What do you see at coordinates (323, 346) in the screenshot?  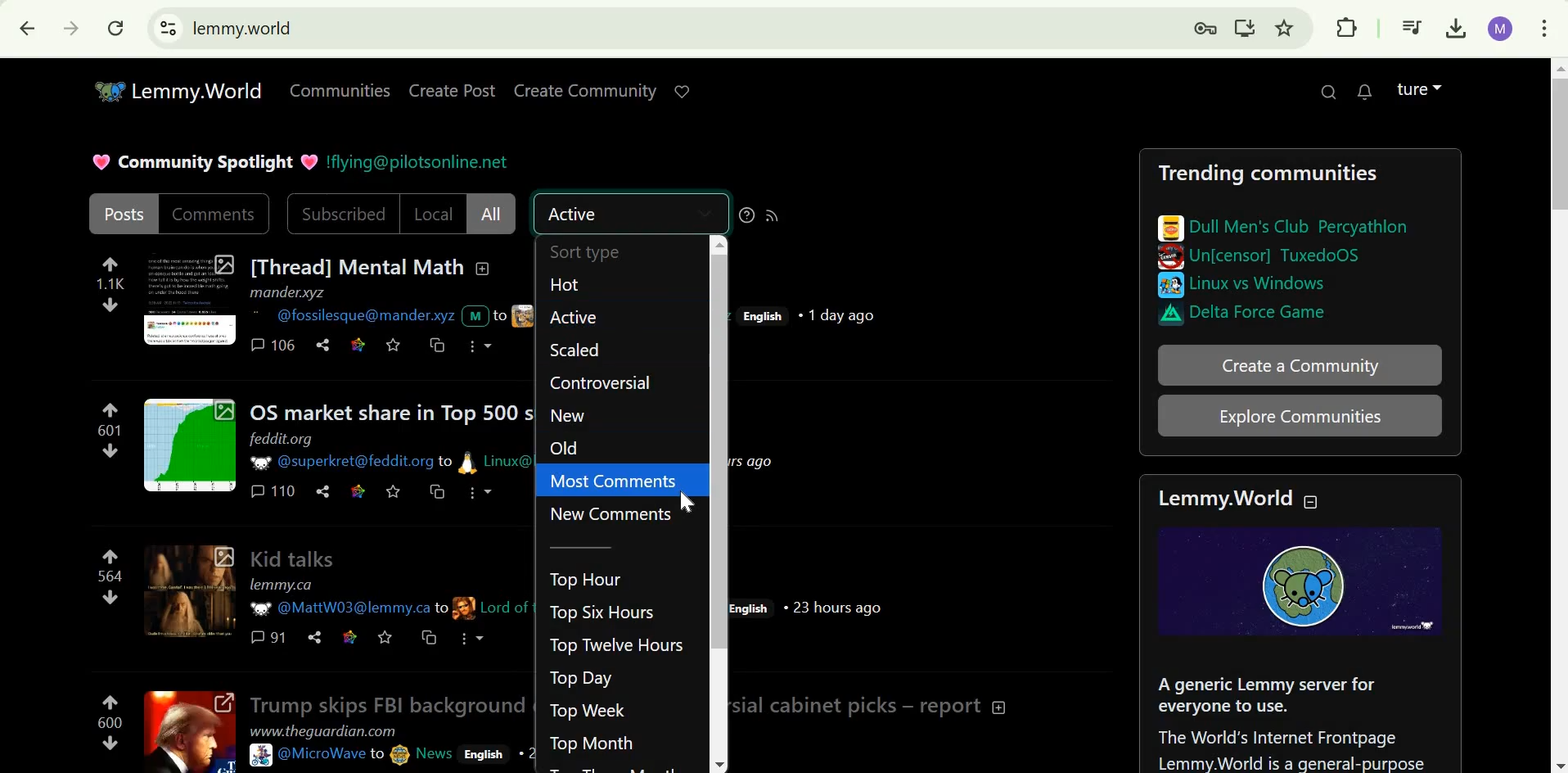 I see `Share` at bounding box center [323, 346].